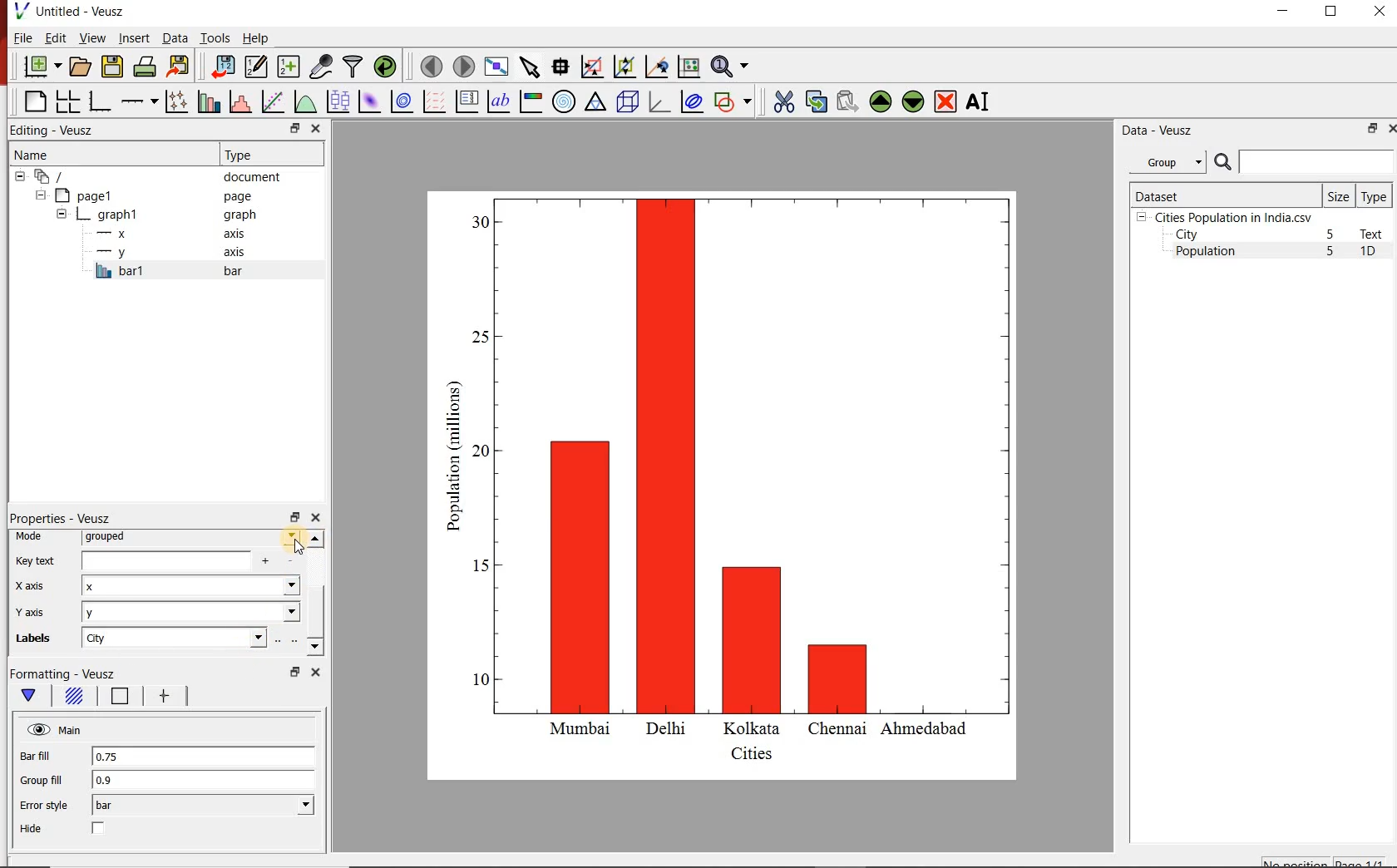 The width and height of the screenshot is (1397, 868). What do you see at coordinates (658, 101) in the screenshot?
I see `3d graph` at bounding box center [658, 101].